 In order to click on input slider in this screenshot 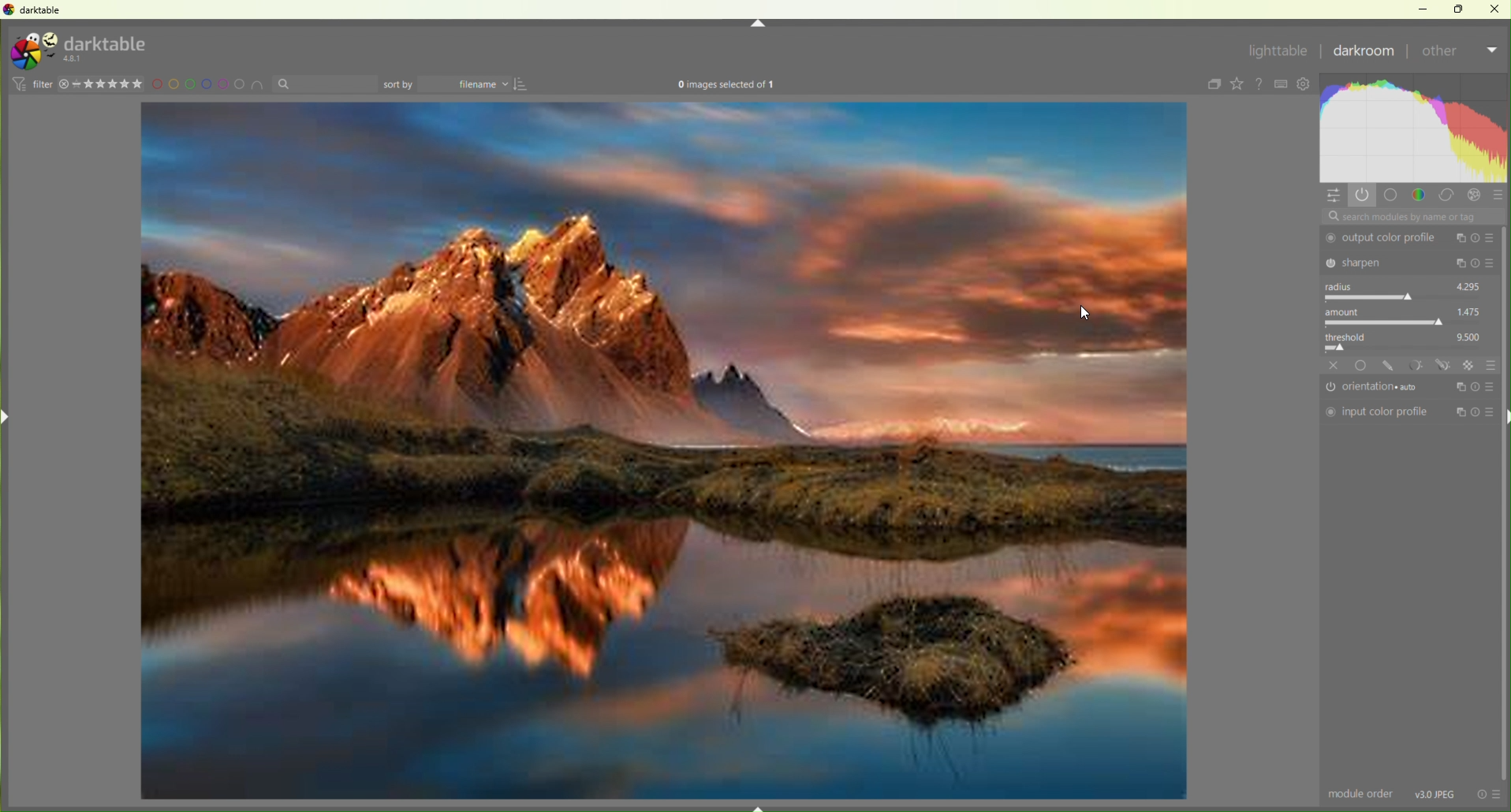, I will do `click(1406, 297)`.